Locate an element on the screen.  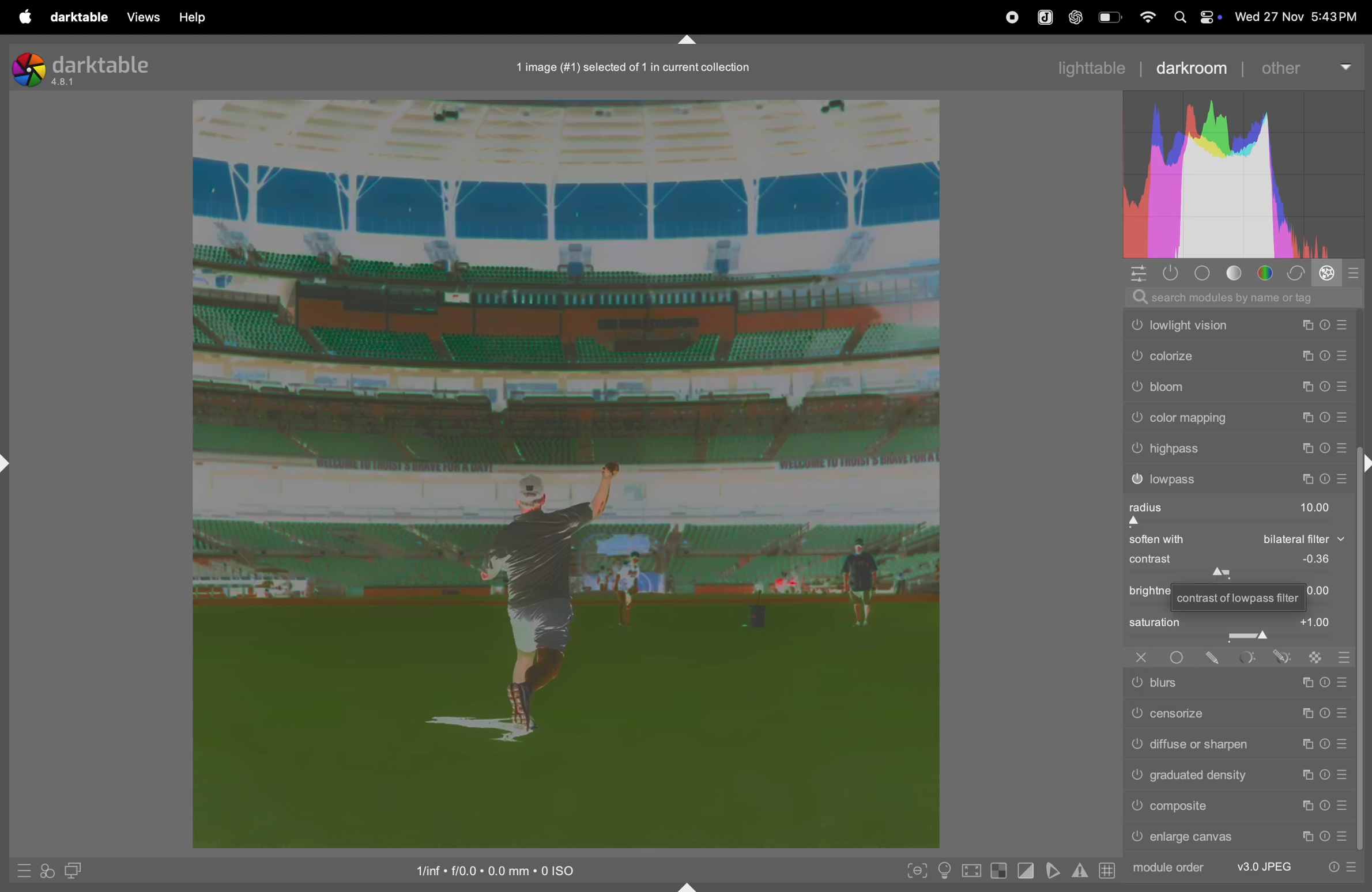
colors is located at coordinates (1267, 273).